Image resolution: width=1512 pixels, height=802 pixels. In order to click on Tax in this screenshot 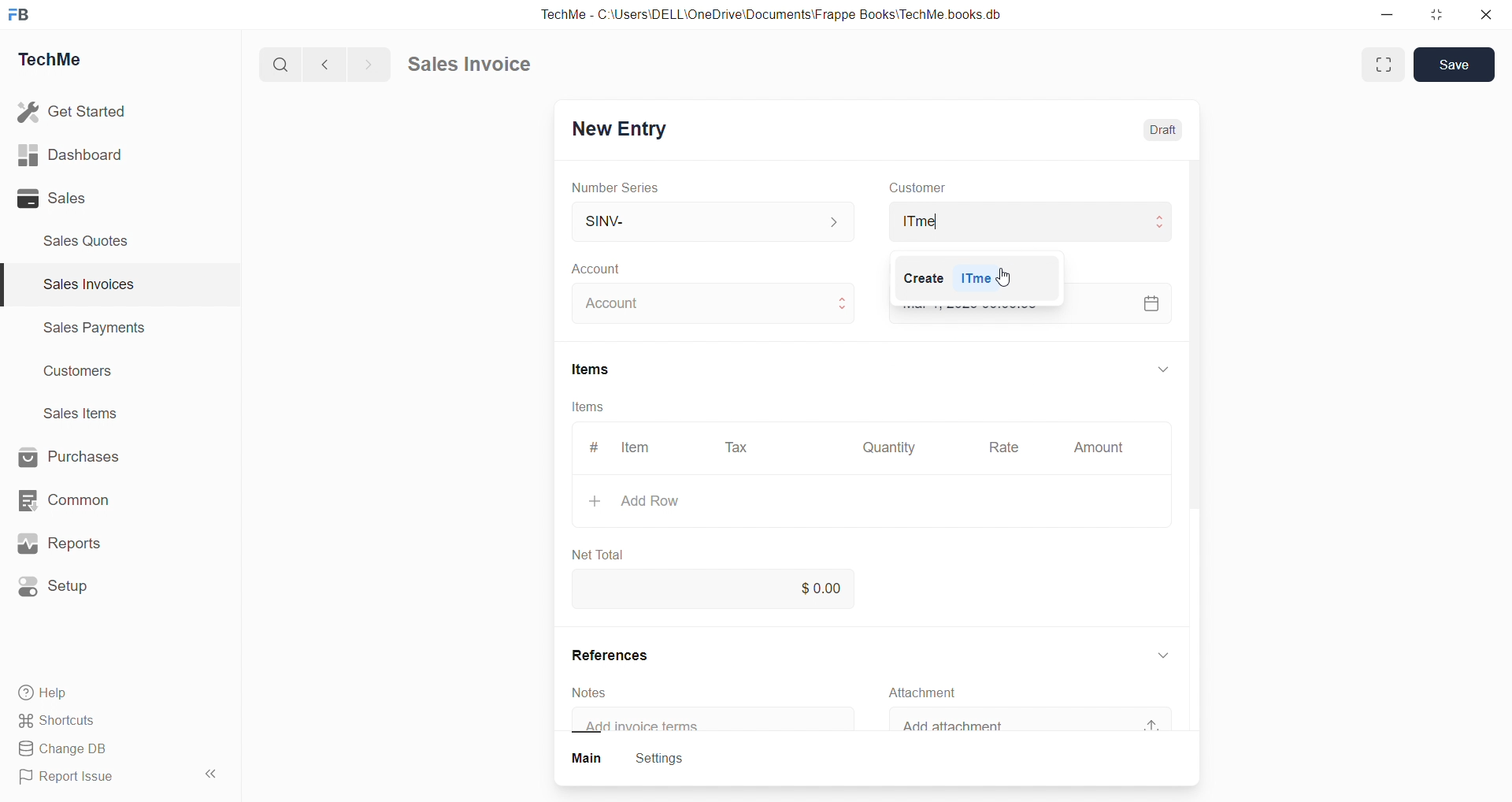, I will do `click(739, 448)`.